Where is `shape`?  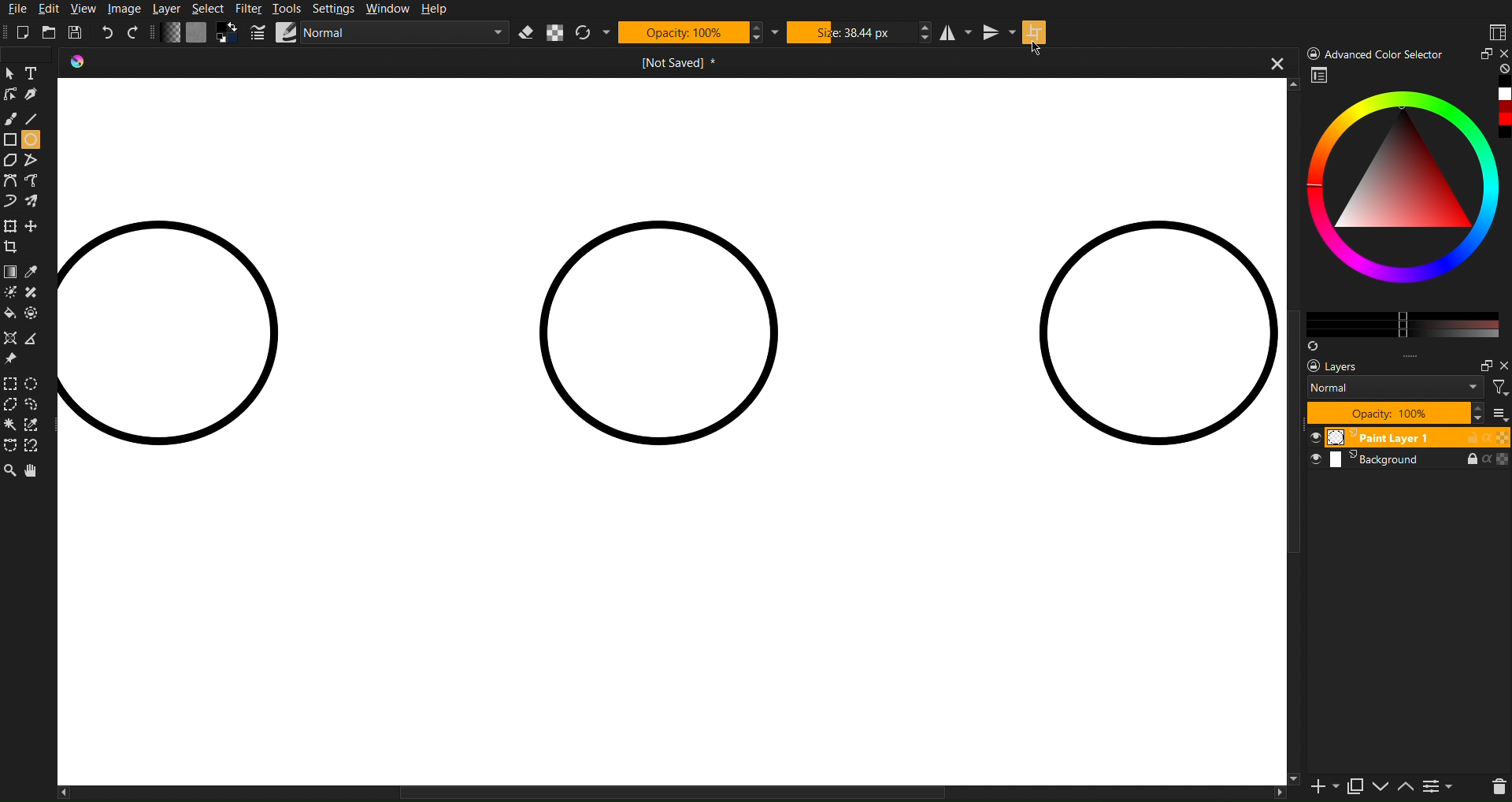
shape is located at coordinates (35, 293).